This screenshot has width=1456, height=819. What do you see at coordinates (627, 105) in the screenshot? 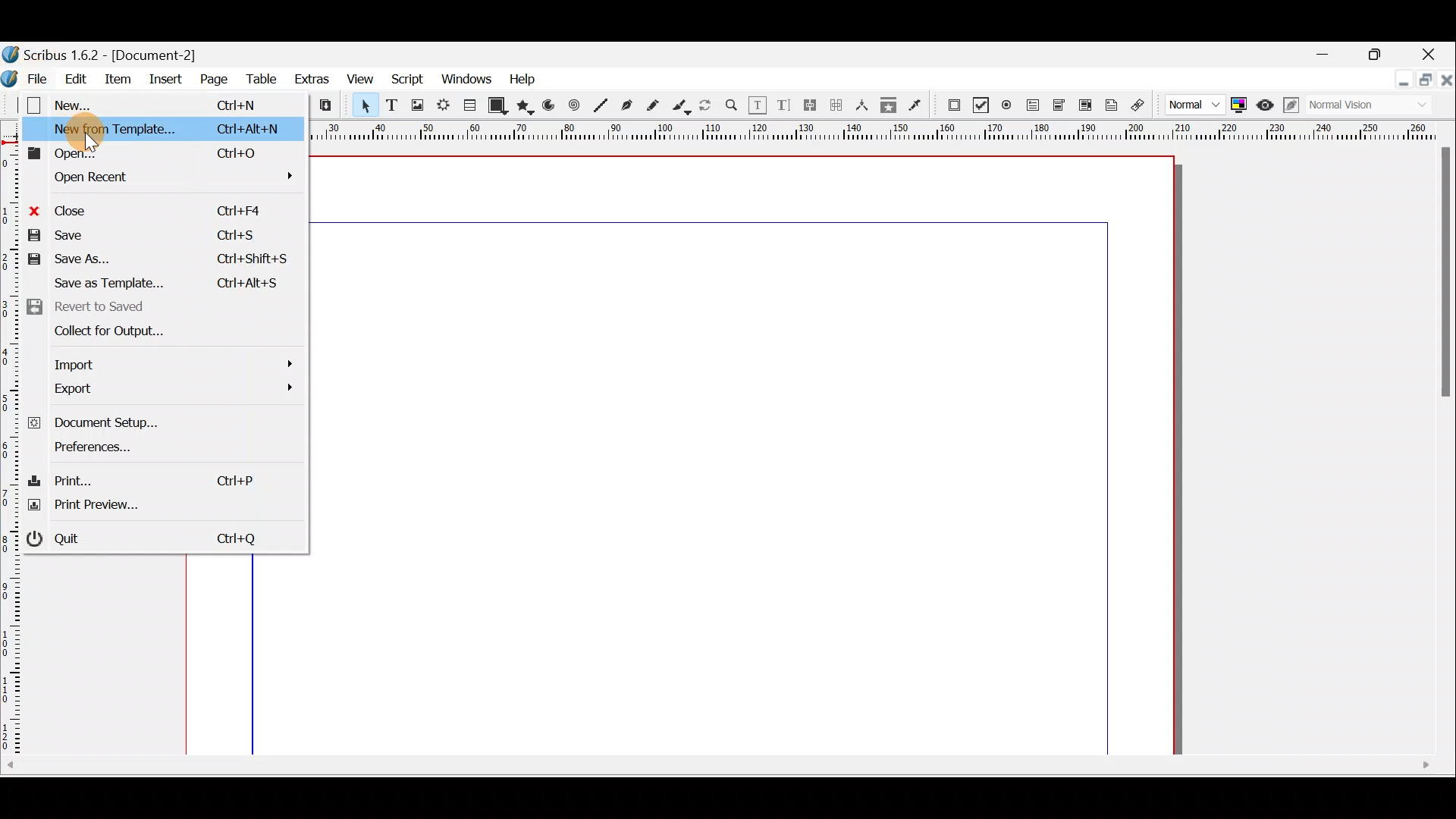
I see `Bezier curver` at bounding box center [627, 105].